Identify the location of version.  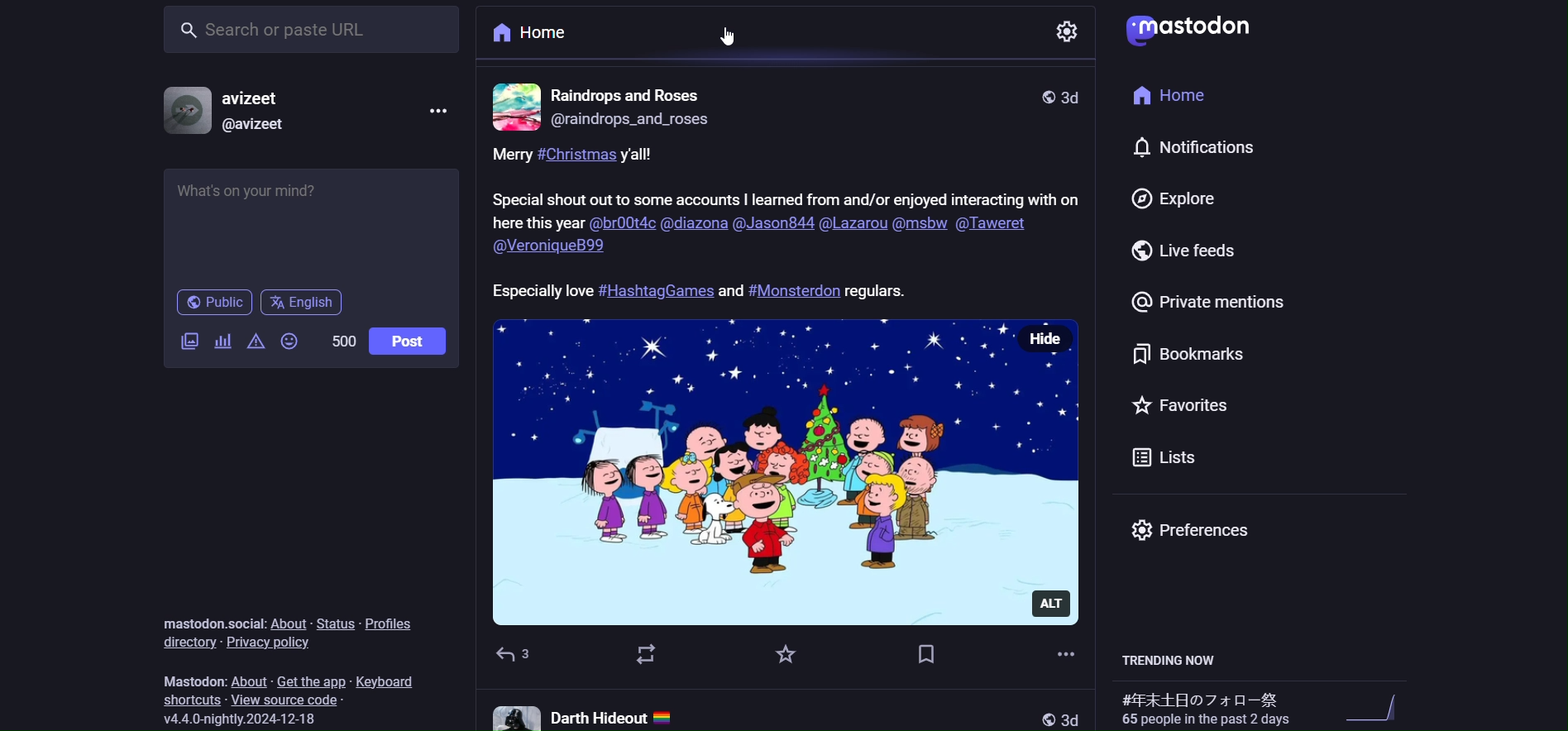
(246, 719).